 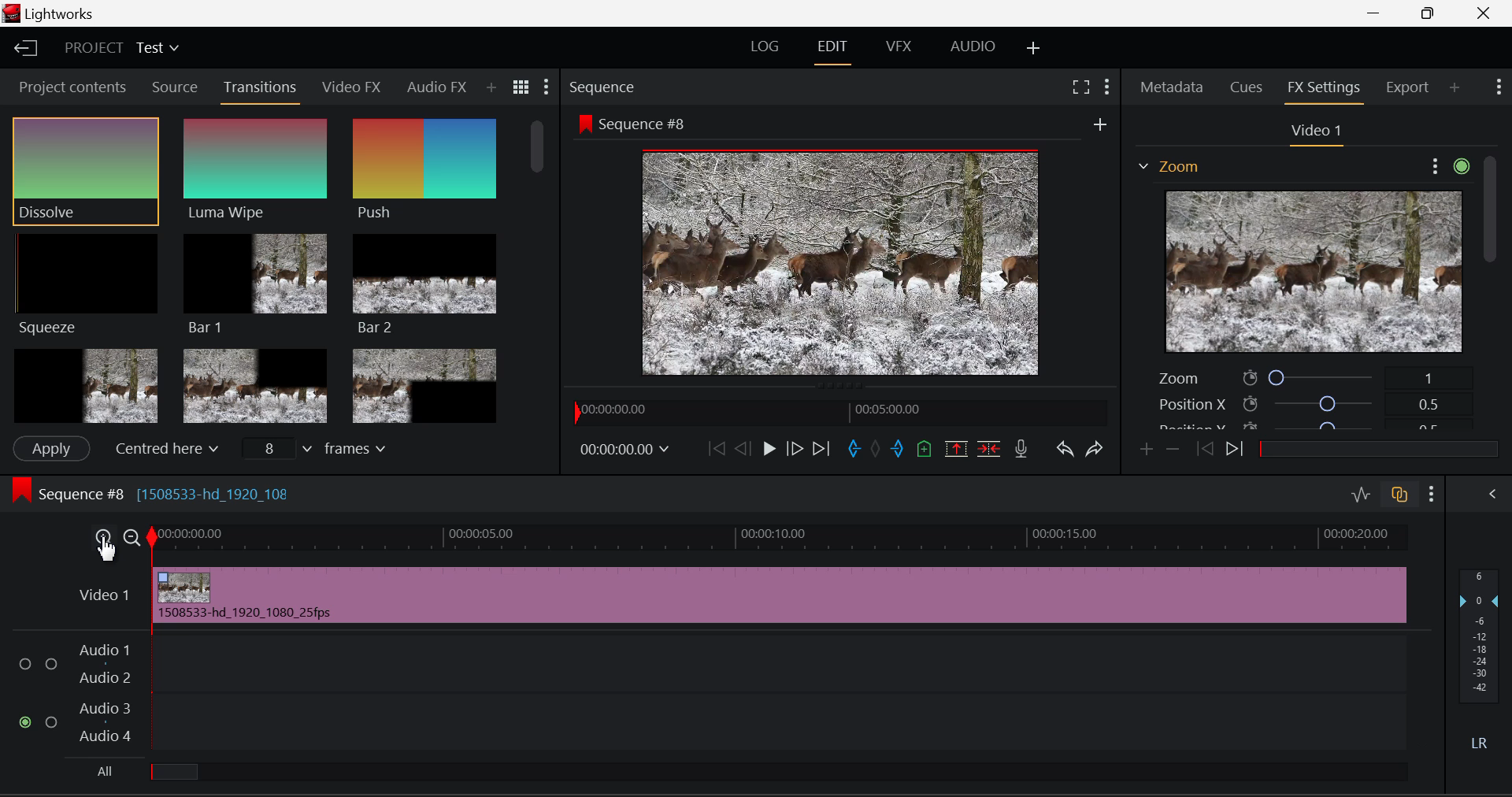 I want to click on Play, so click(x=773, y=449).